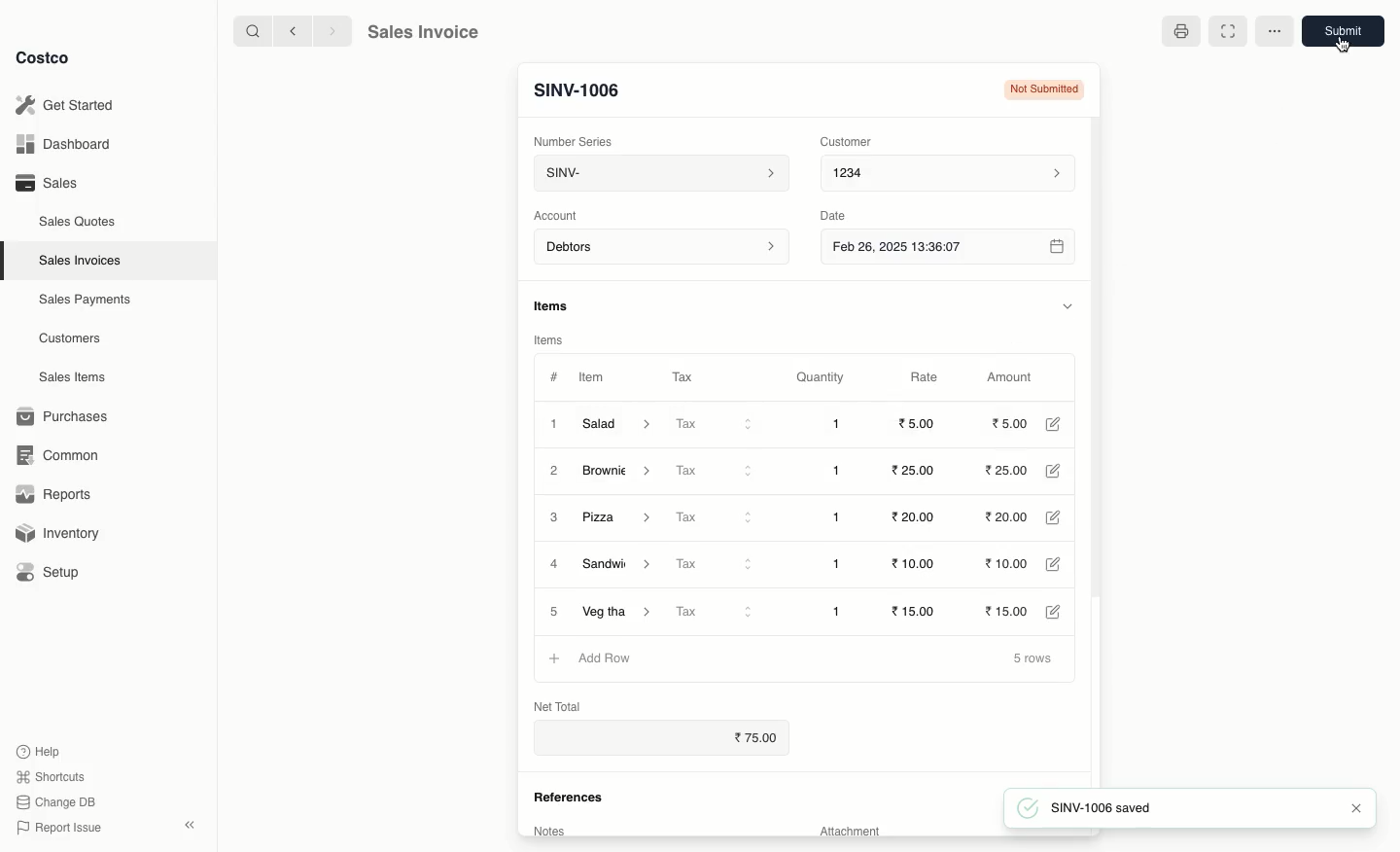 The width and height of the screenshot is (1400, 852). What do you see at coordinates (1000, 424) in the screenshot?
I see `20.00` at bounding box center [1000, 424].